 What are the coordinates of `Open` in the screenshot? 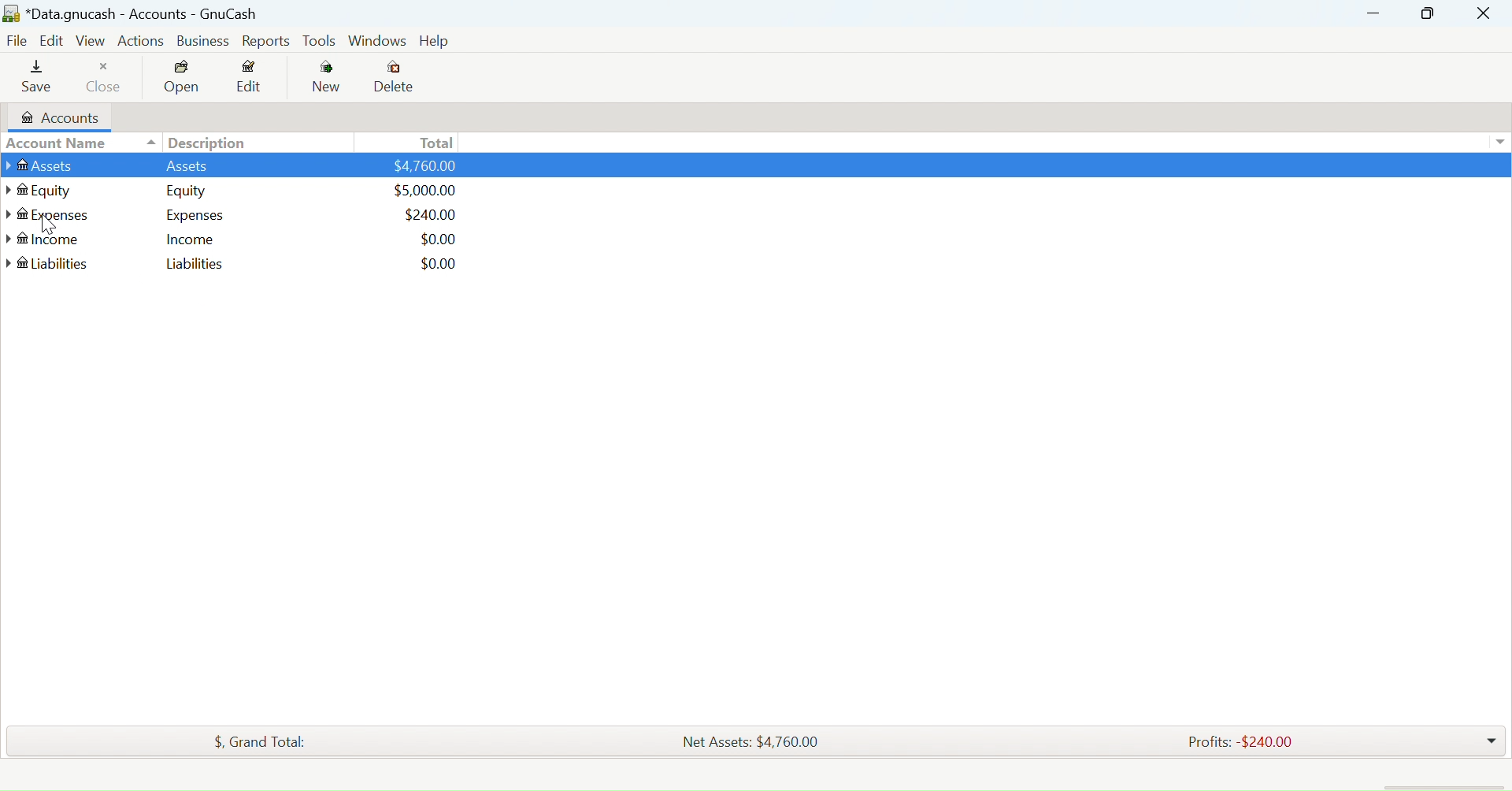 It's located at (181, 78).